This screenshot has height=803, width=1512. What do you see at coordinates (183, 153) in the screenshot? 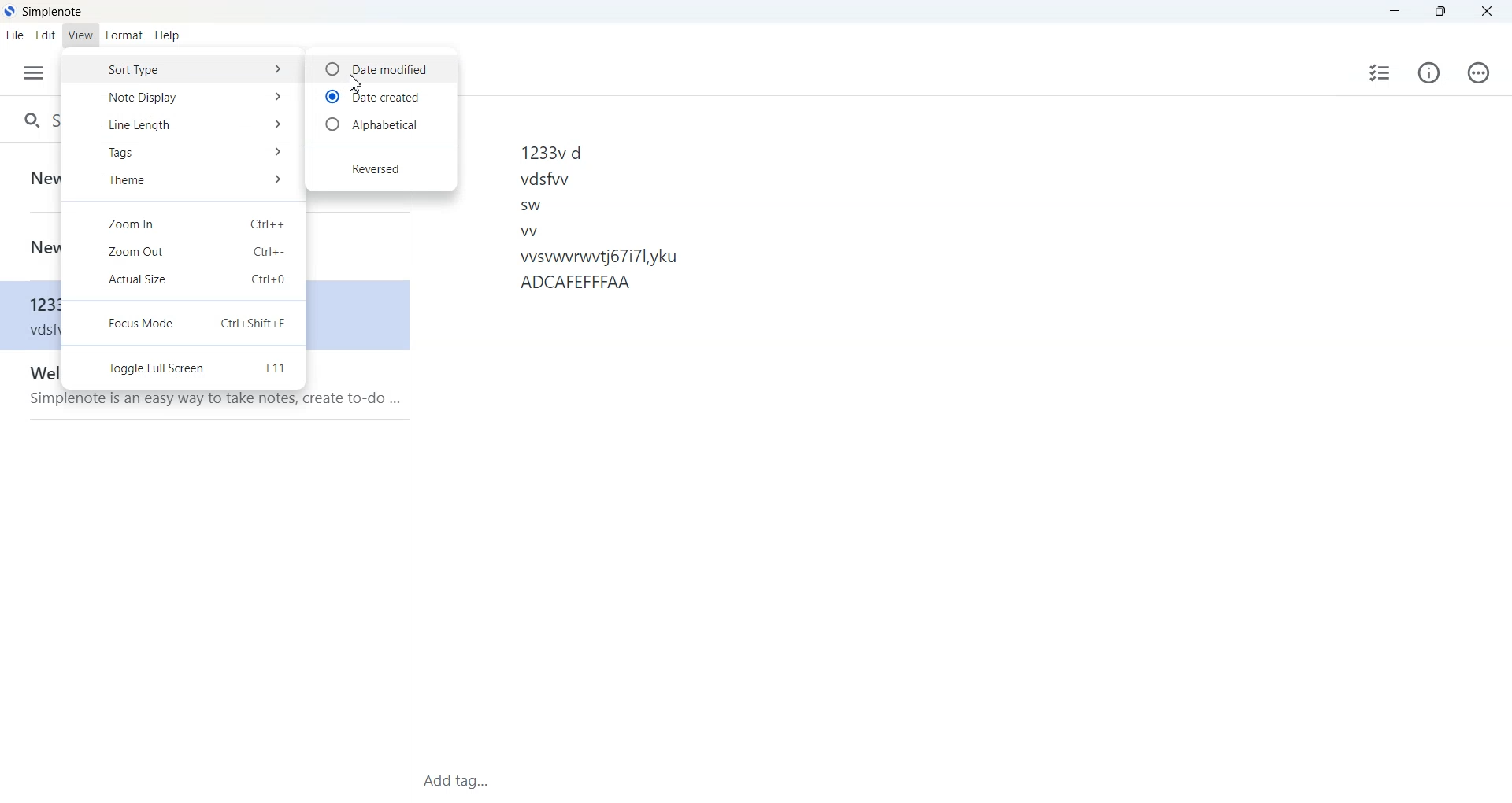
I see `Tags` at bounding box center [183, 153].